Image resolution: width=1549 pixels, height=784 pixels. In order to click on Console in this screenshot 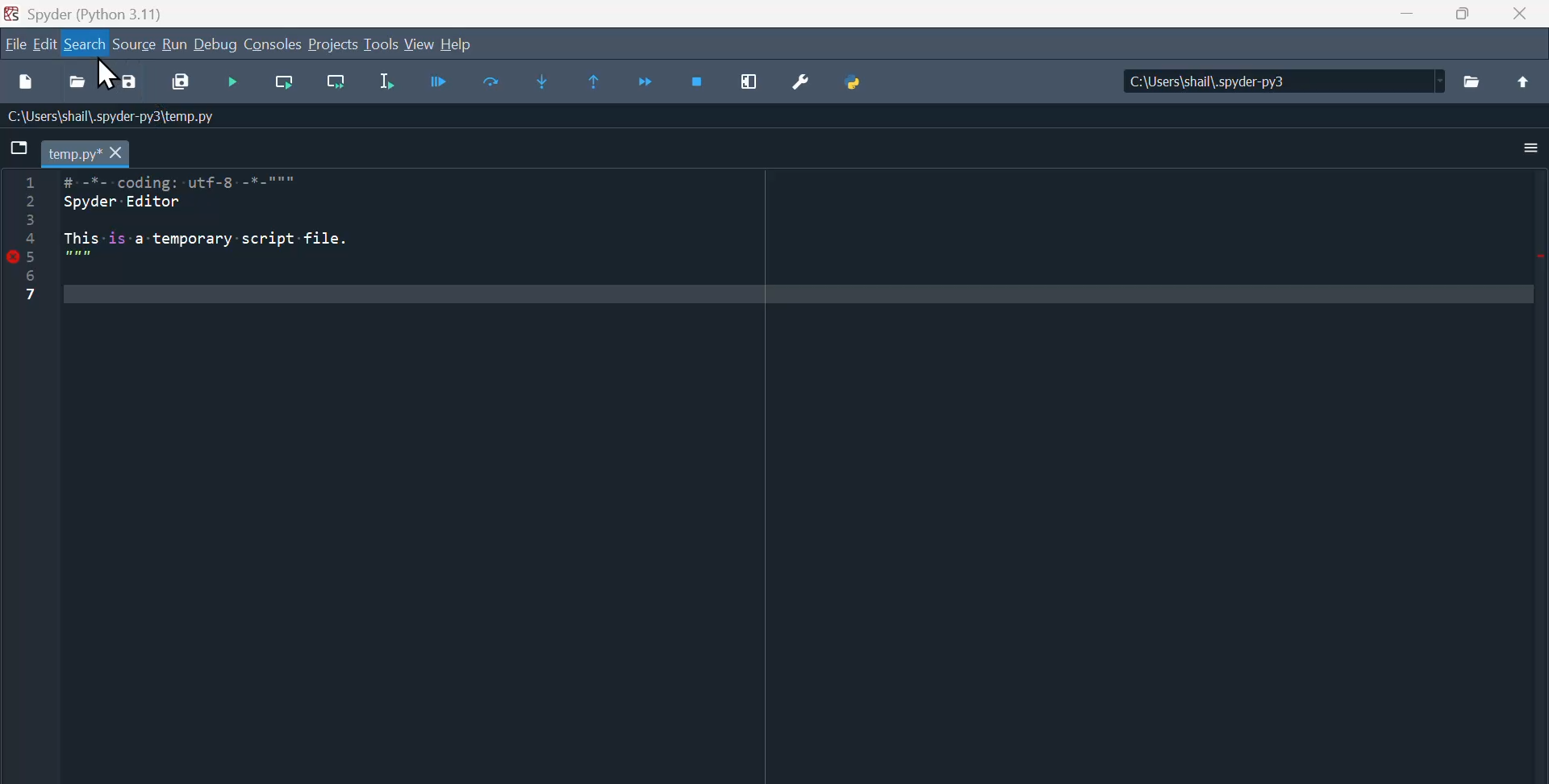, I will do `click(274, 46)`.